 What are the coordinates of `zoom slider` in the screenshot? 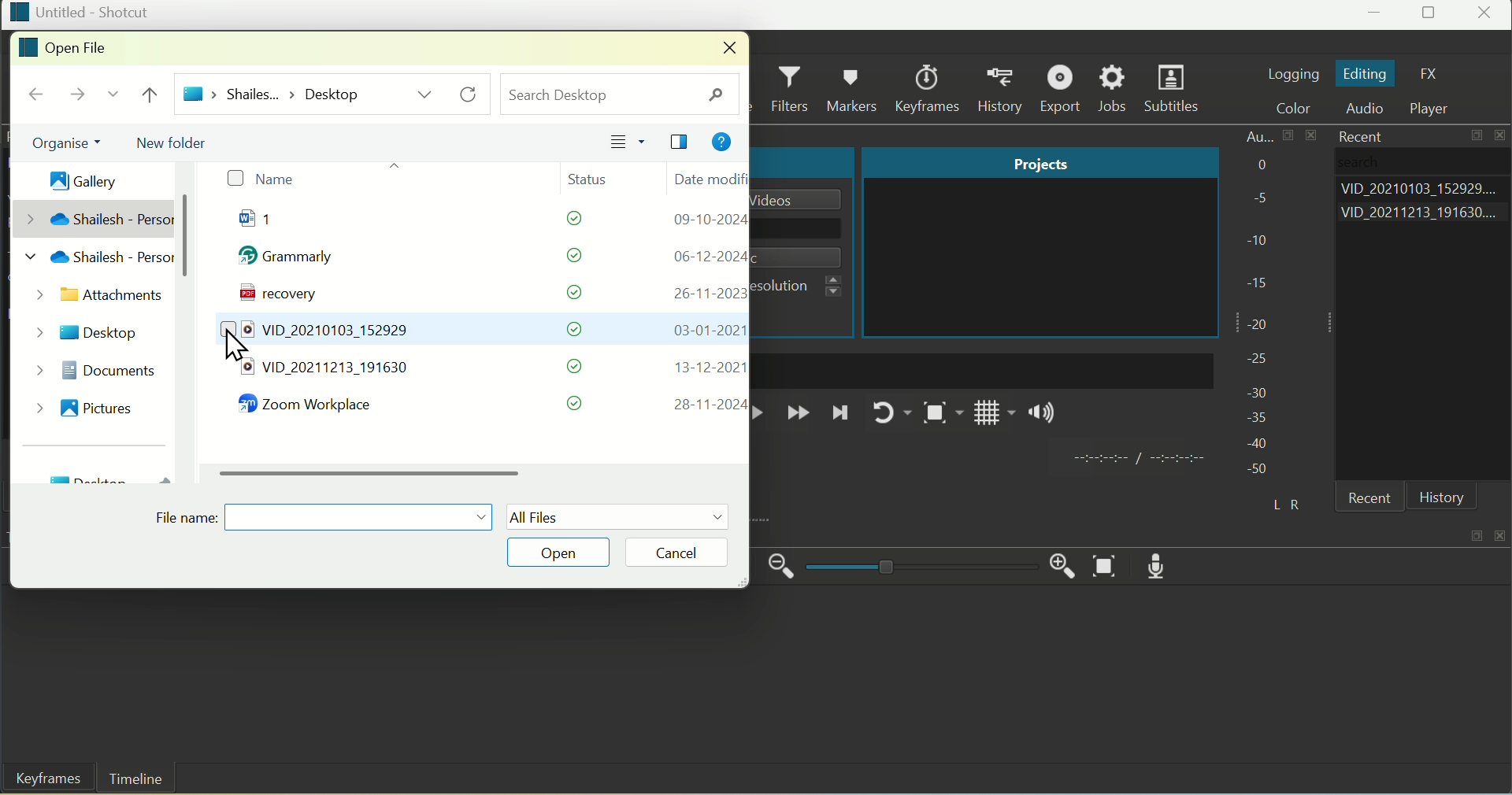 It's located at (918, 568).